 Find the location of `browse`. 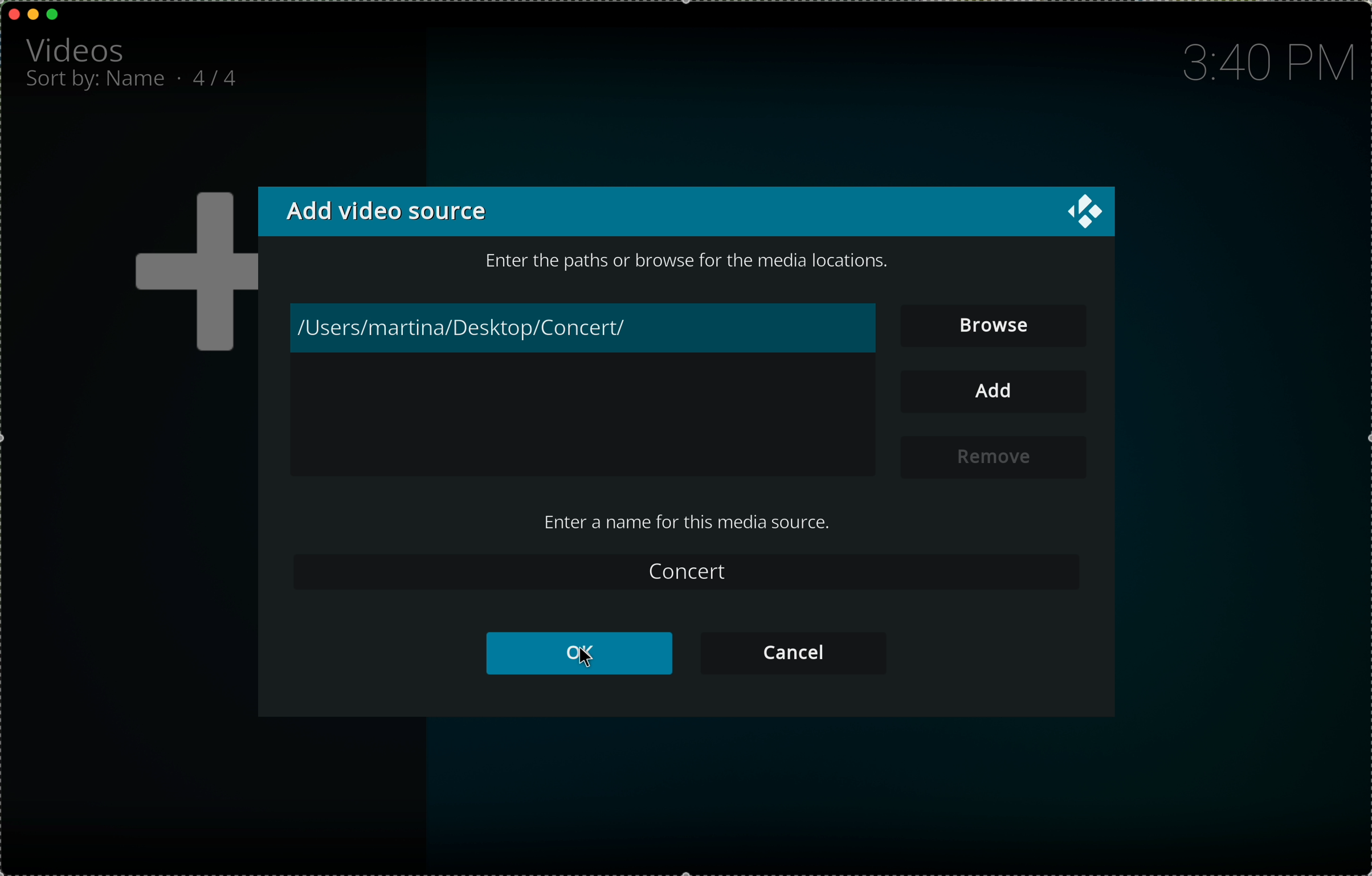

browse is located at coordinates (995, 329).